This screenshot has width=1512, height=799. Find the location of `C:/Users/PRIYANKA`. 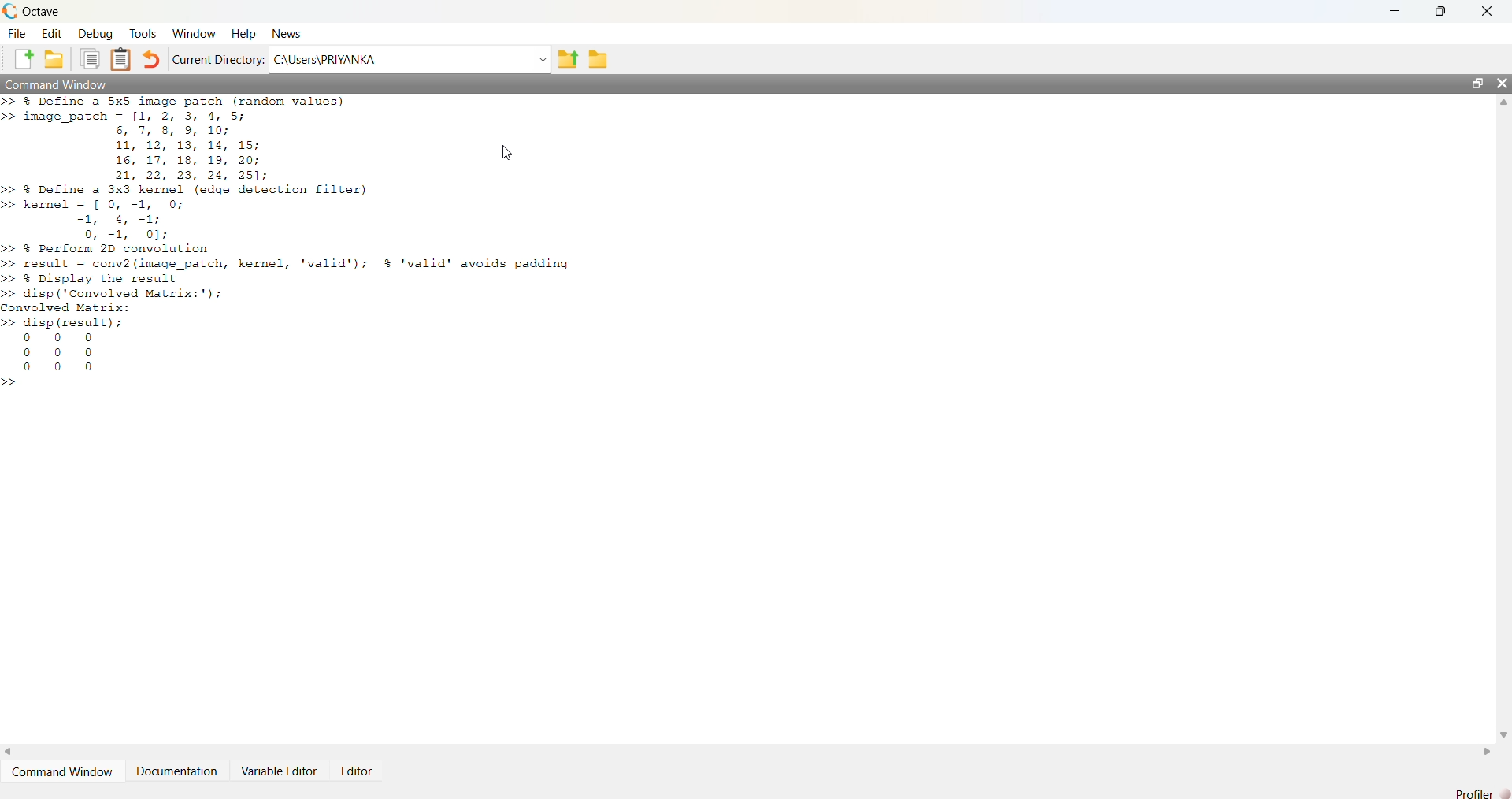

C:/Users/PRIYANKA is located at coordinates (396, 59).